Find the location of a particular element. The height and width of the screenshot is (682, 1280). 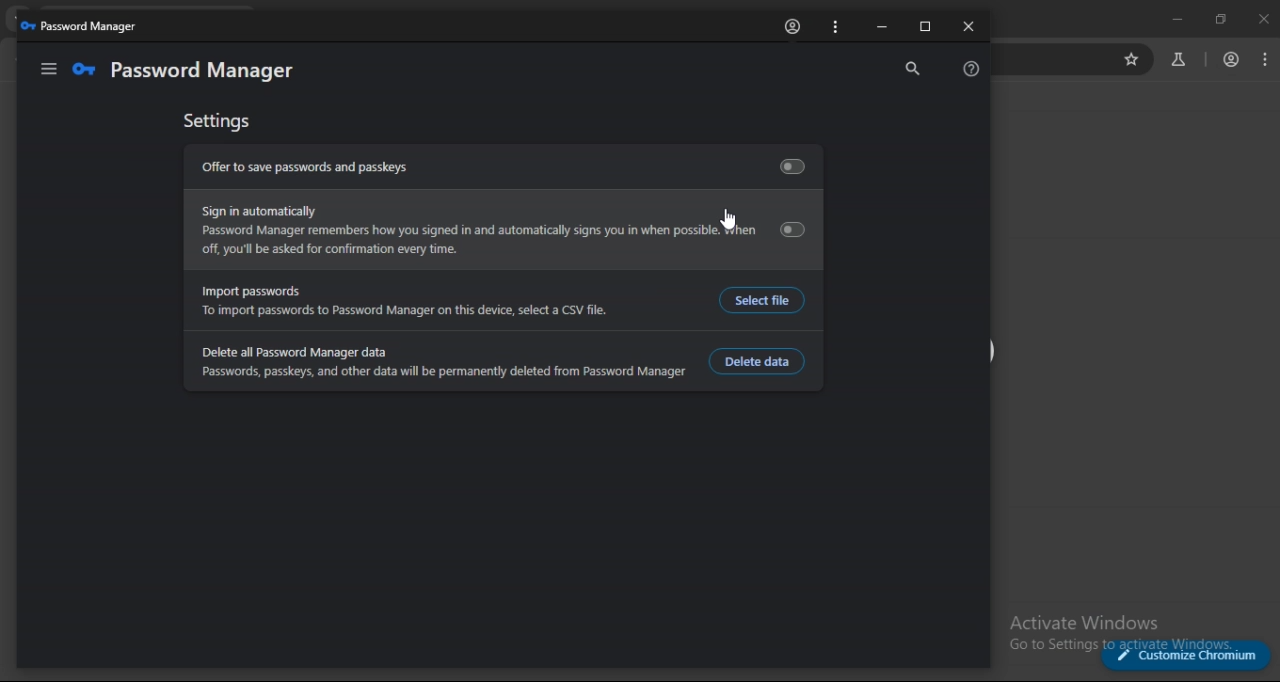

restore down is located at coordinates (1218, 19).